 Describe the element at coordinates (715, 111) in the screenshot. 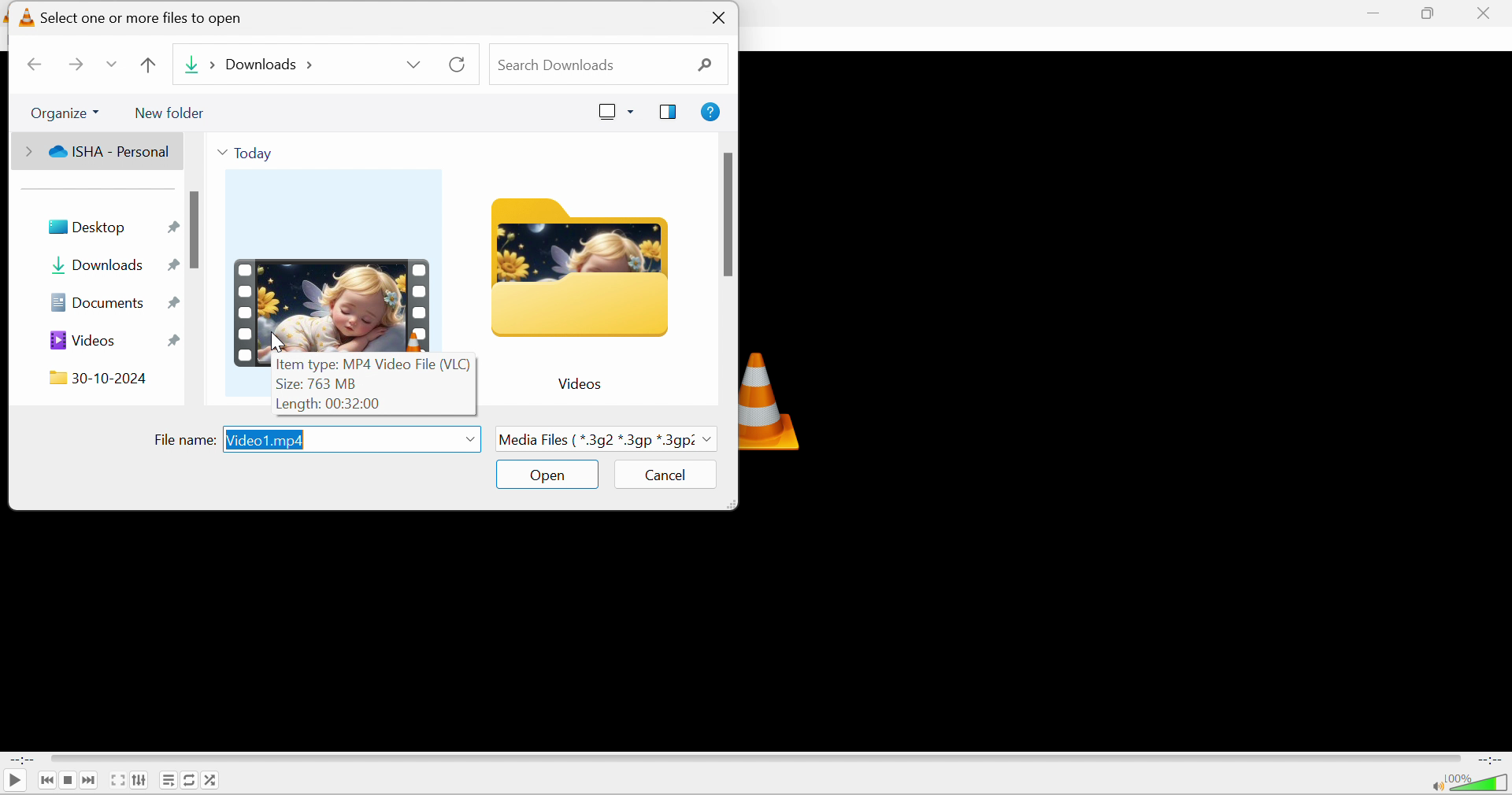

I see `Get help.` at that location.